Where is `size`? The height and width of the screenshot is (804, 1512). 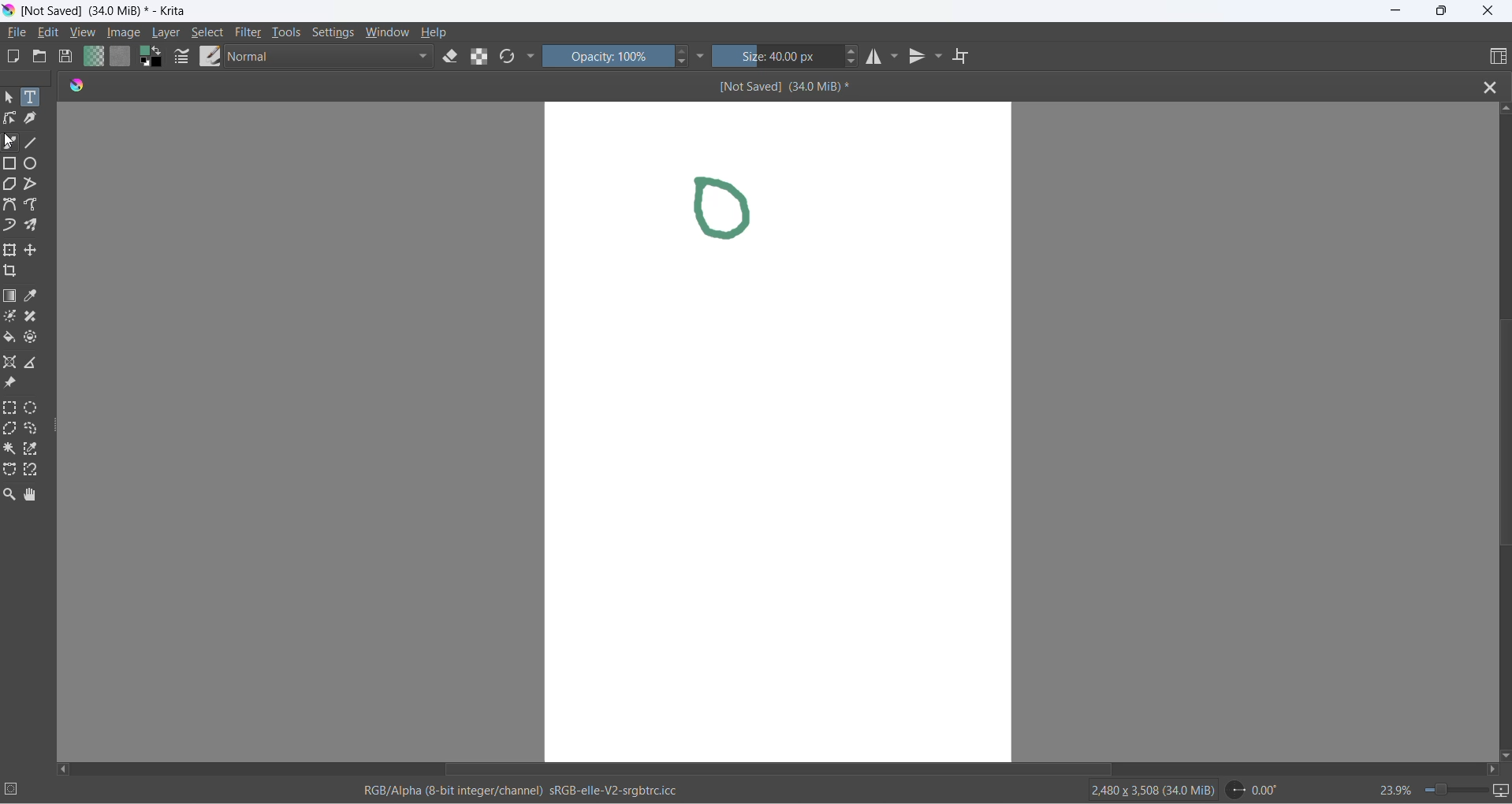 size is located at coordinates (780, 56).